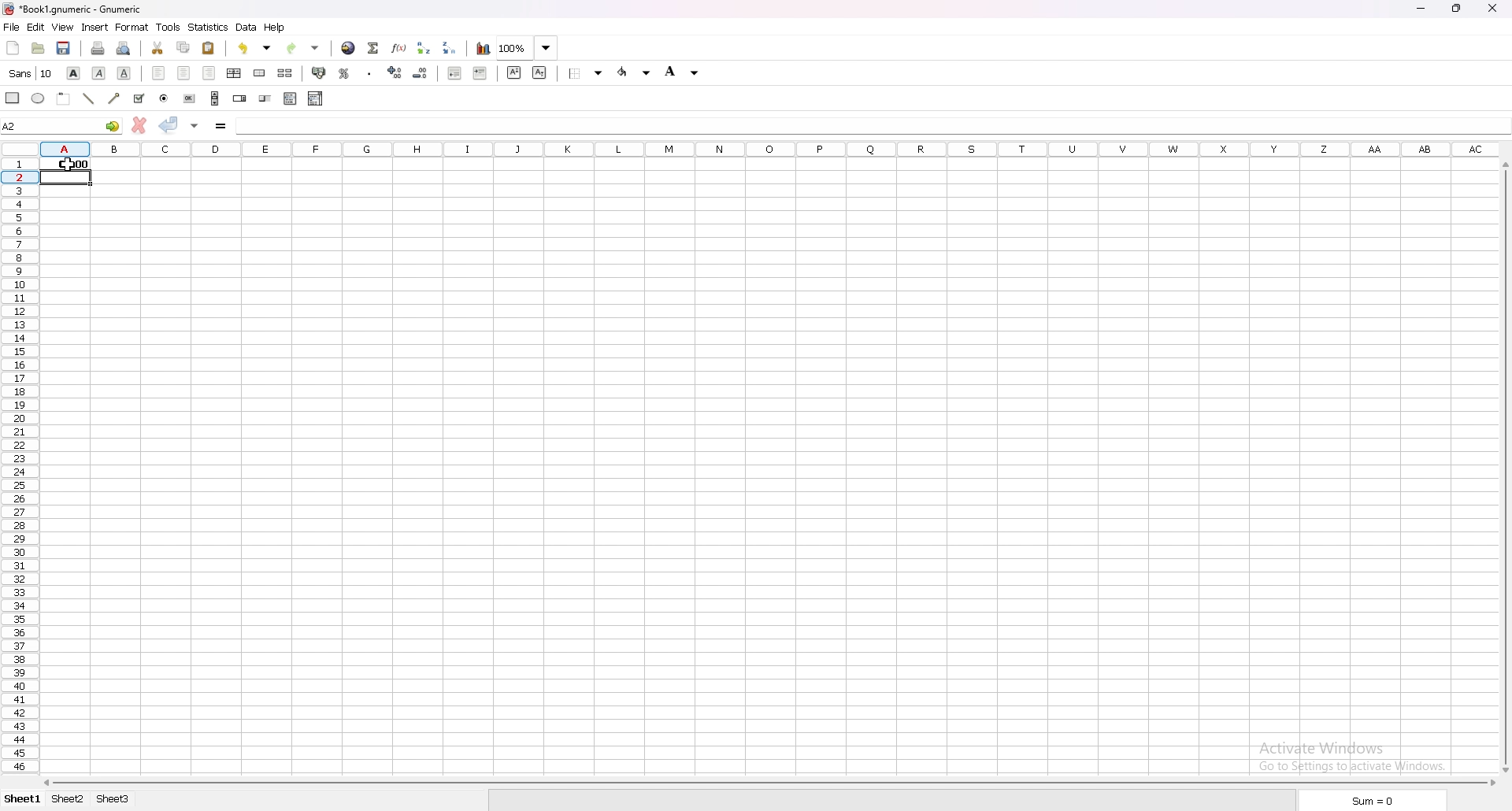 Image resolution: width=1512 pixels, height=811 pixels. Describe the element at coordinates (276, 28) in the screenshot. I see `help` at that location.